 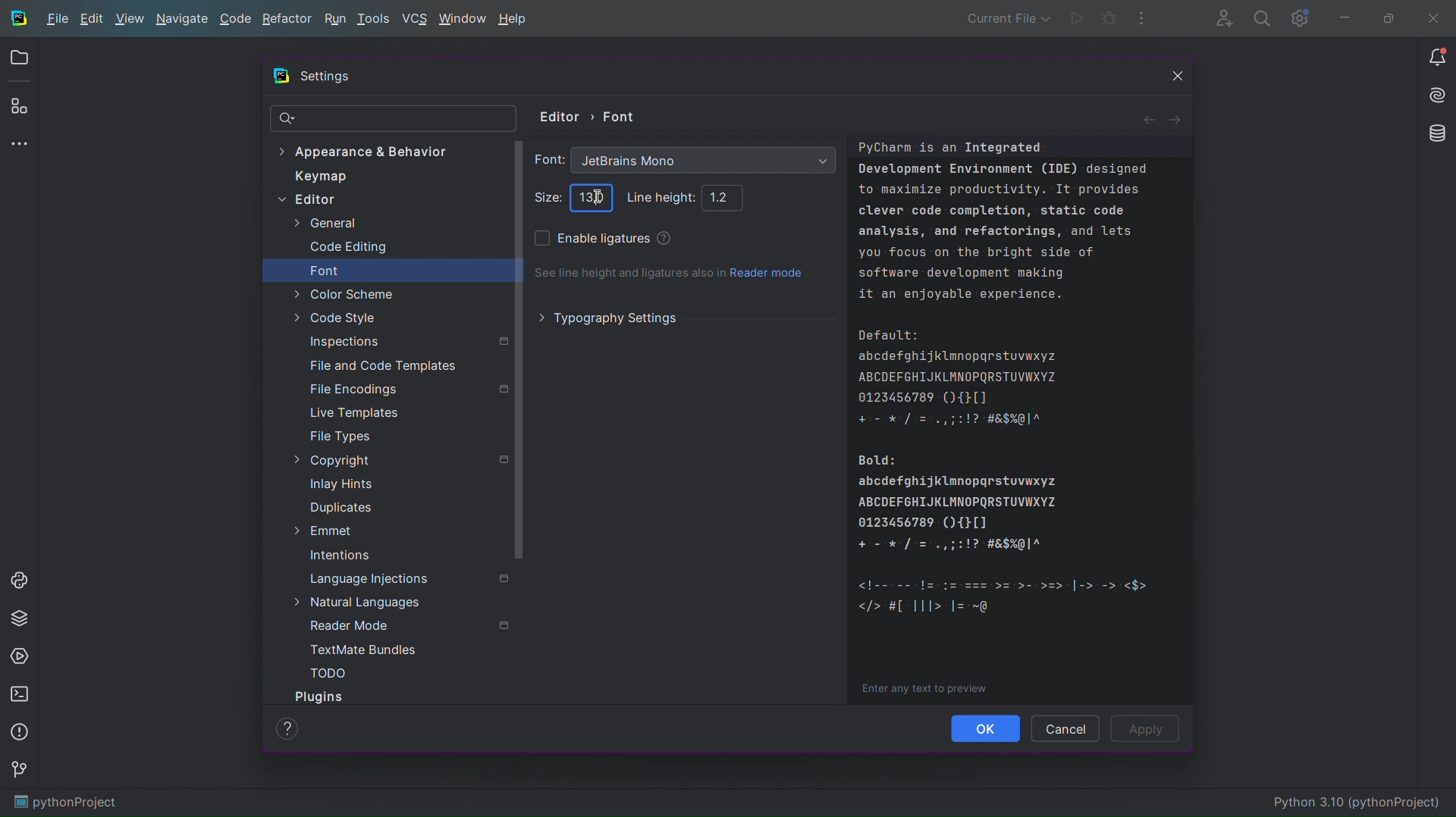 I want to click on Back, so click(x=1147, y=118).